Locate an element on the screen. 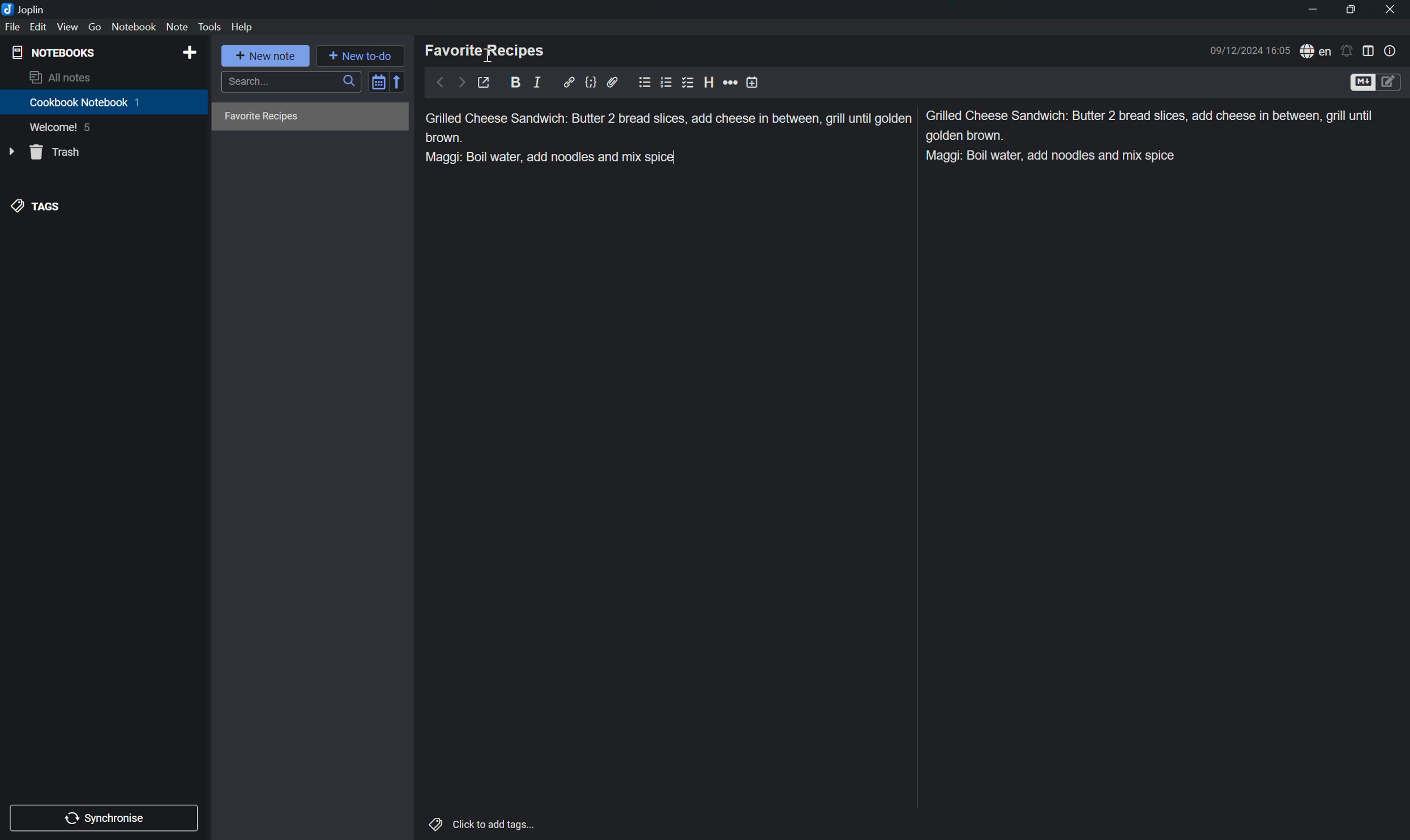  New note is located at coordinates (266, 54).